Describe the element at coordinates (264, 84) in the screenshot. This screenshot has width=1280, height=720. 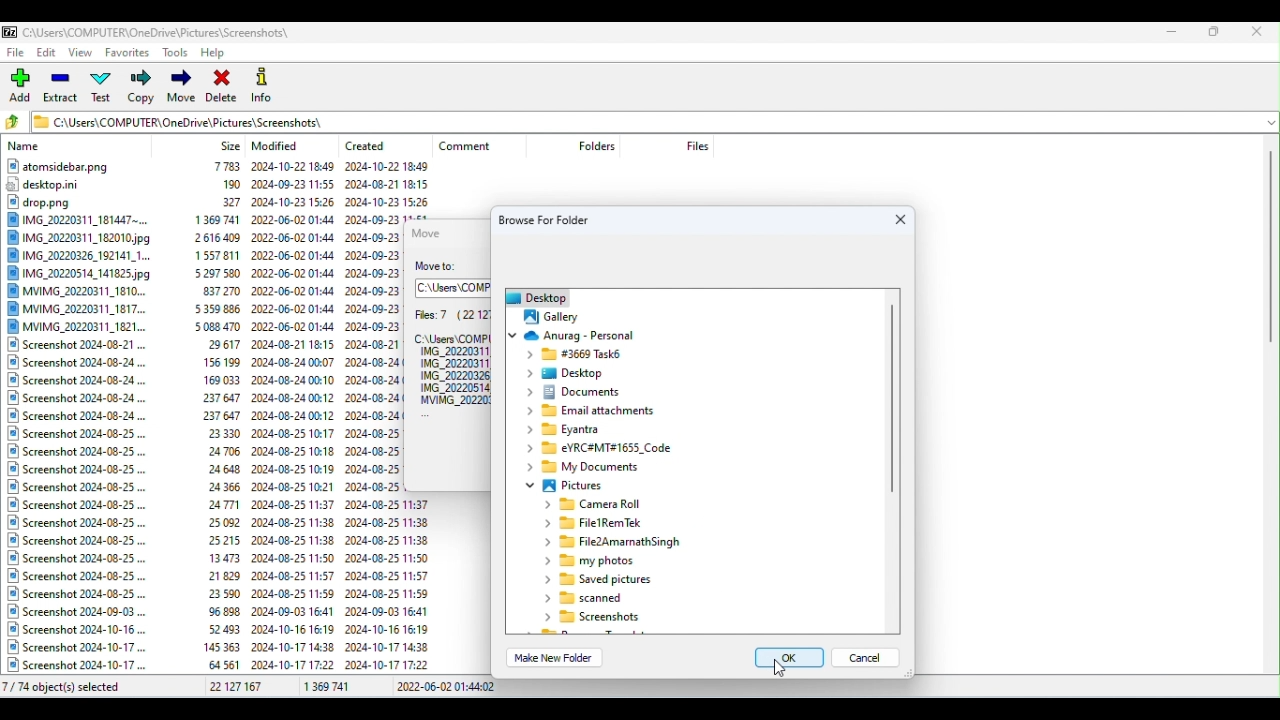
I see `Info` at that location.